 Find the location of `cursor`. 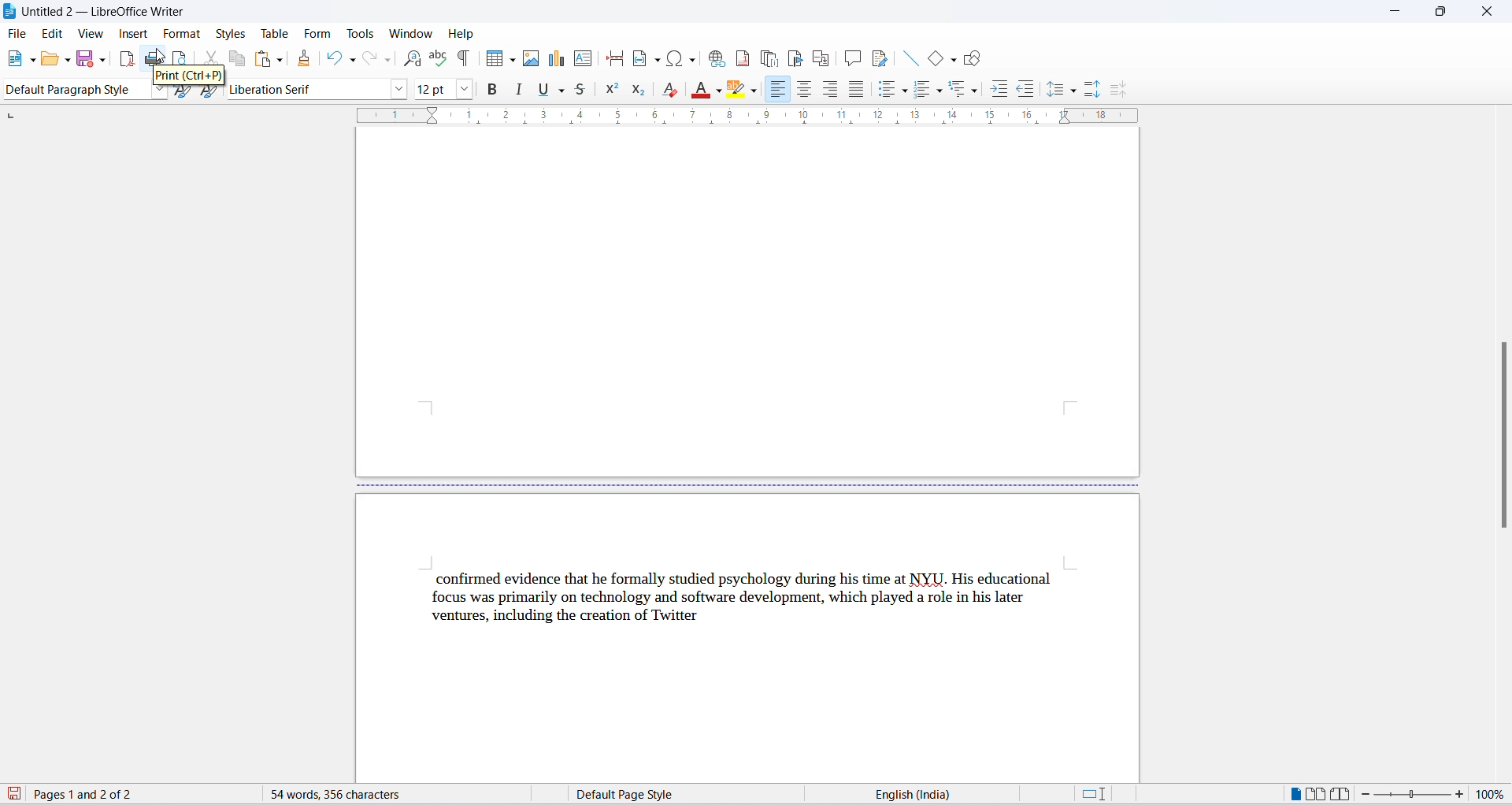

cursor is located at coordinates (160, 53).